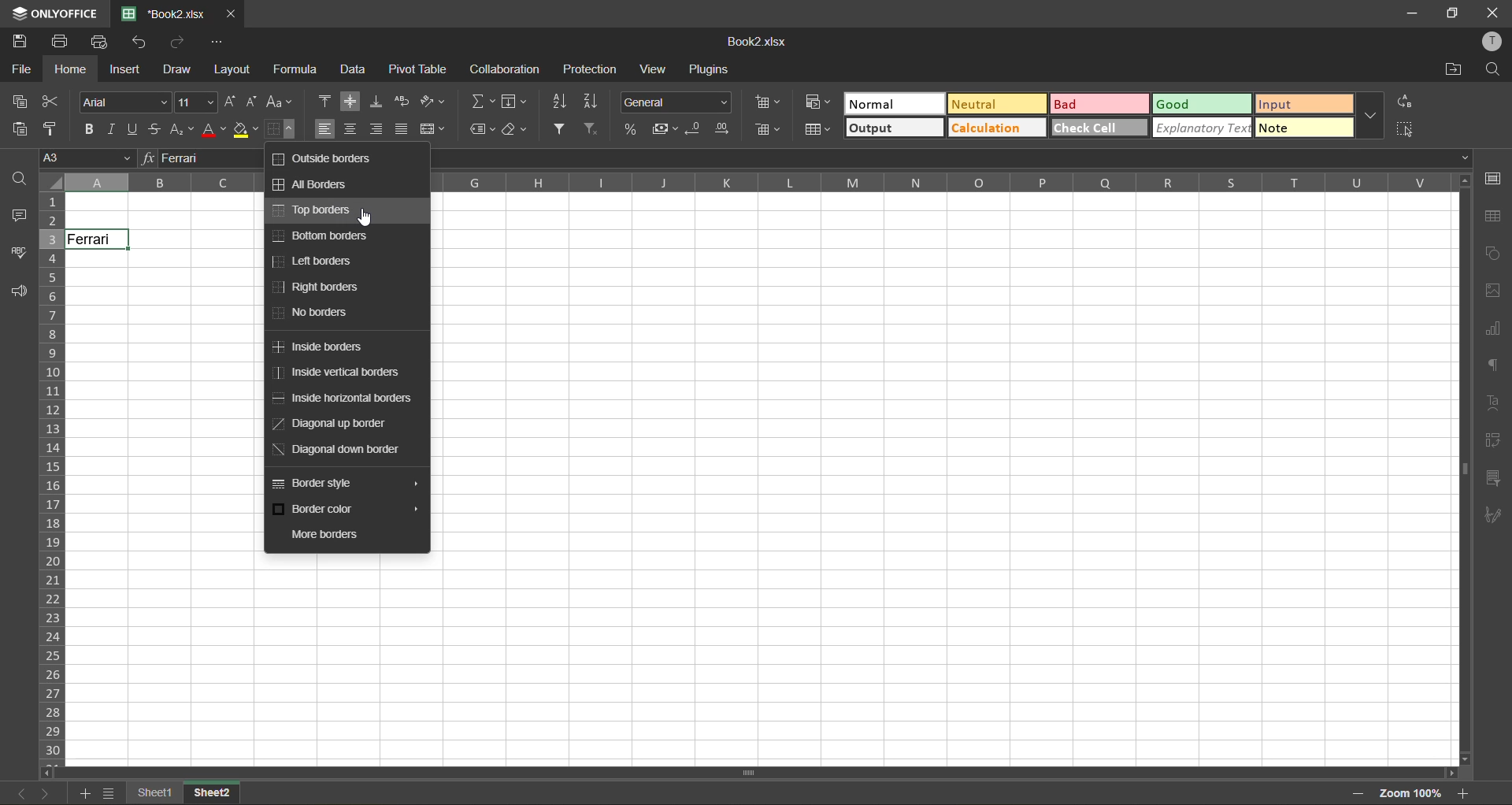  I want to click on no borders, so click(313, 313).